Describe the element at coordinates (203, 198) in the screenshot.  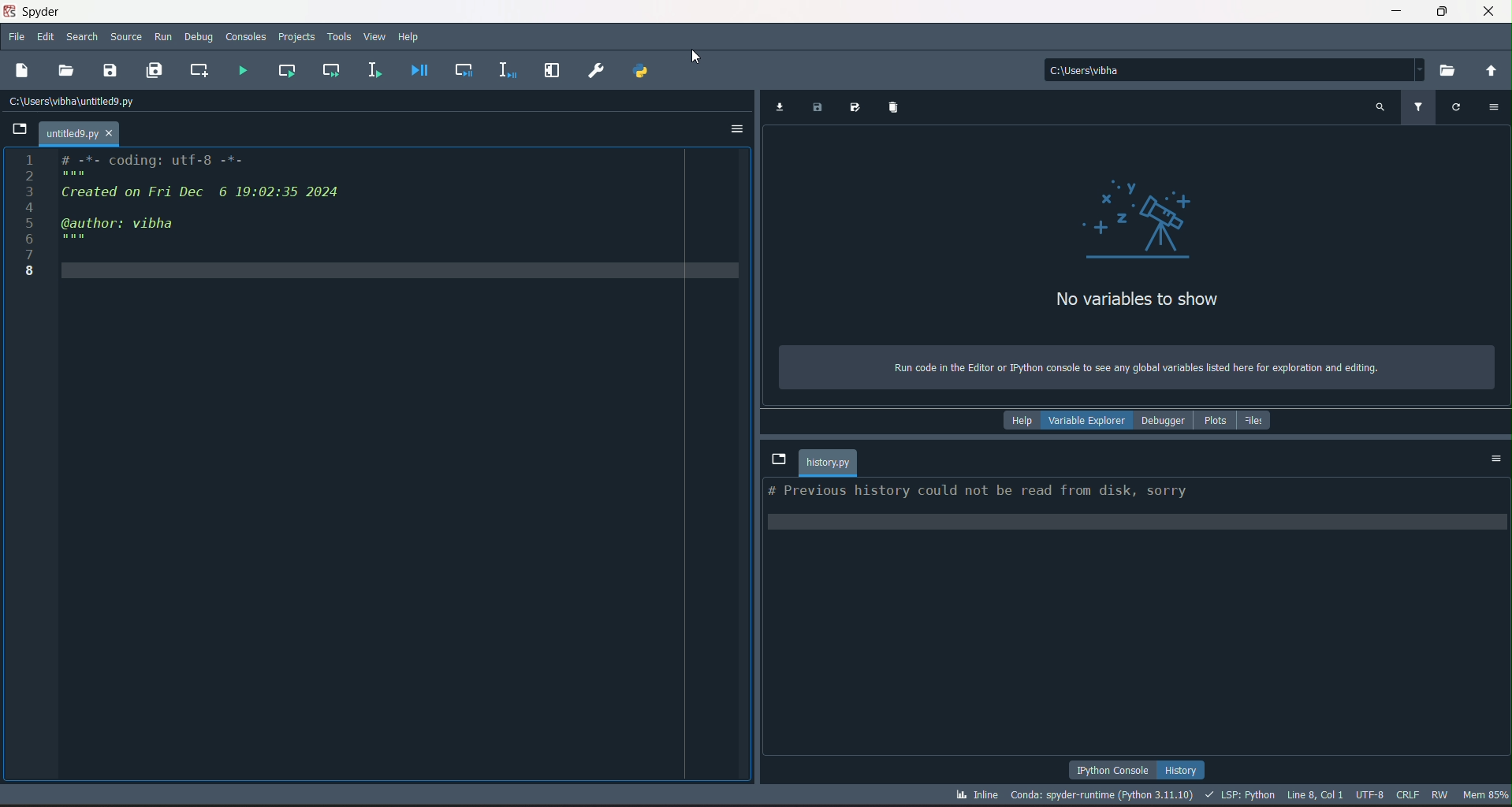
I see `code` at that location.